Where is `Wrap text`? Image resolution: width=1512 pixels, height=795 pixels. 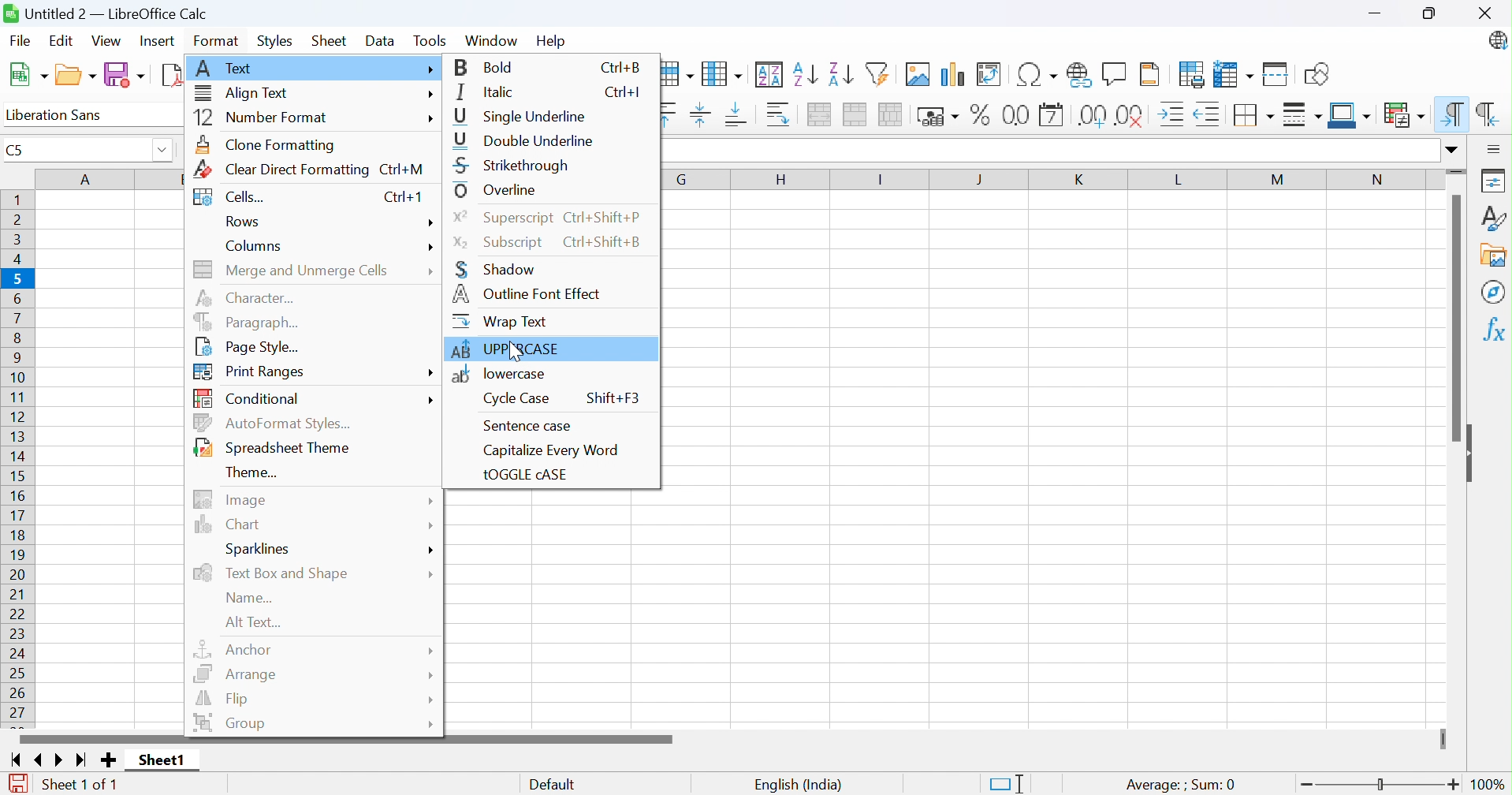 Wrap text is located at coordinates (503, 323).